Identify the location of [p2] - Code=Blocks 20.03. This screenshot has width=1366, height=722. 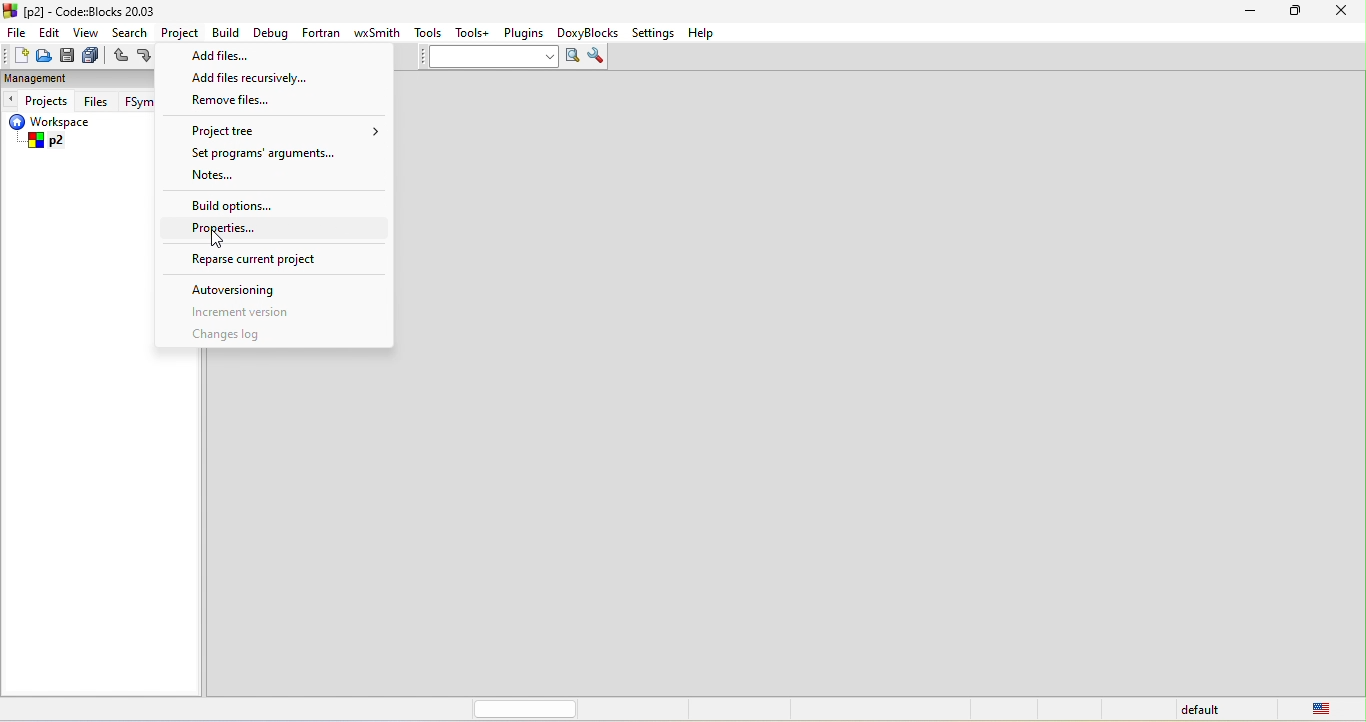
(88, 12).